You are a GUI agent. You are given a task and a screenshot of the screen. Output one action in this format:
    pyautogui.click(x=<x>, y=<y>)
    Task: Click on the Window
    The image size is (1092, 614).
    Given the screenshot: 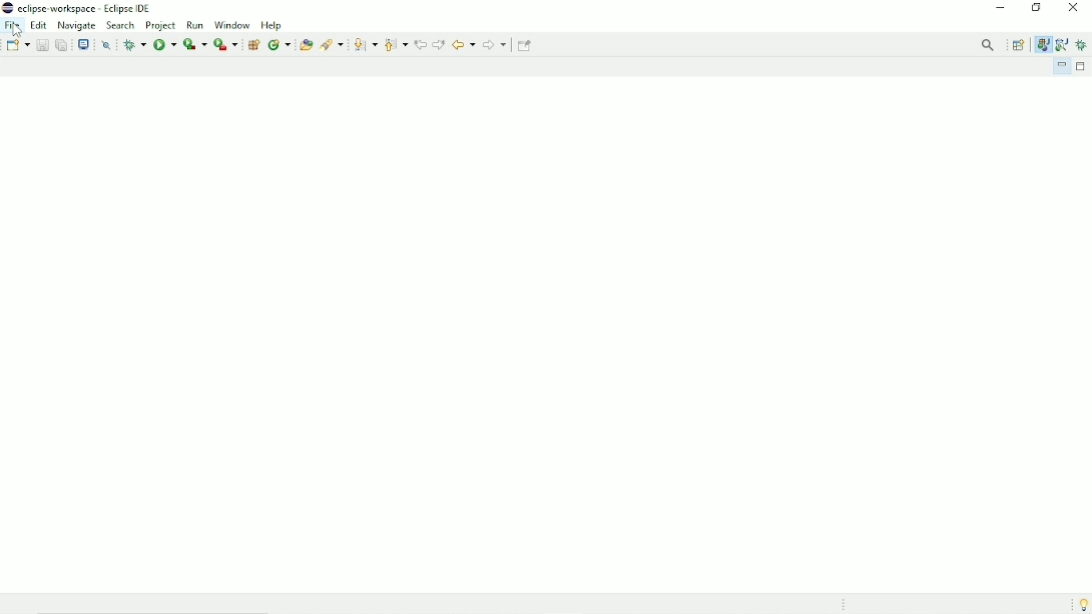 What is the action you would take?
    pyautogui.click(x=231, y=25)
    